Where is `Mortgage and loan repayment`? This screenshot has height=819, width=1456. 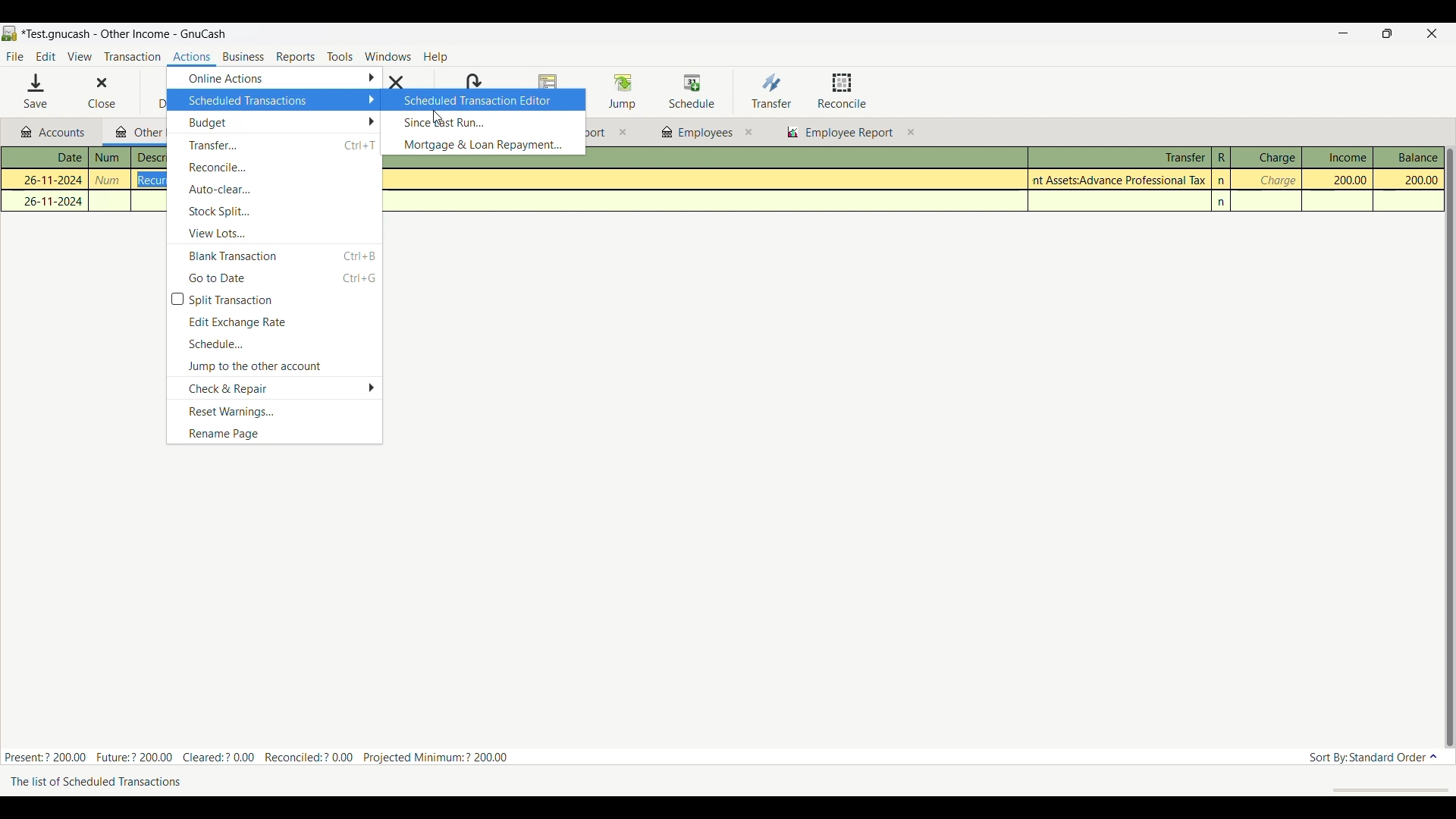 Mortgage and loan repayment is located at coordinates (484, 145).